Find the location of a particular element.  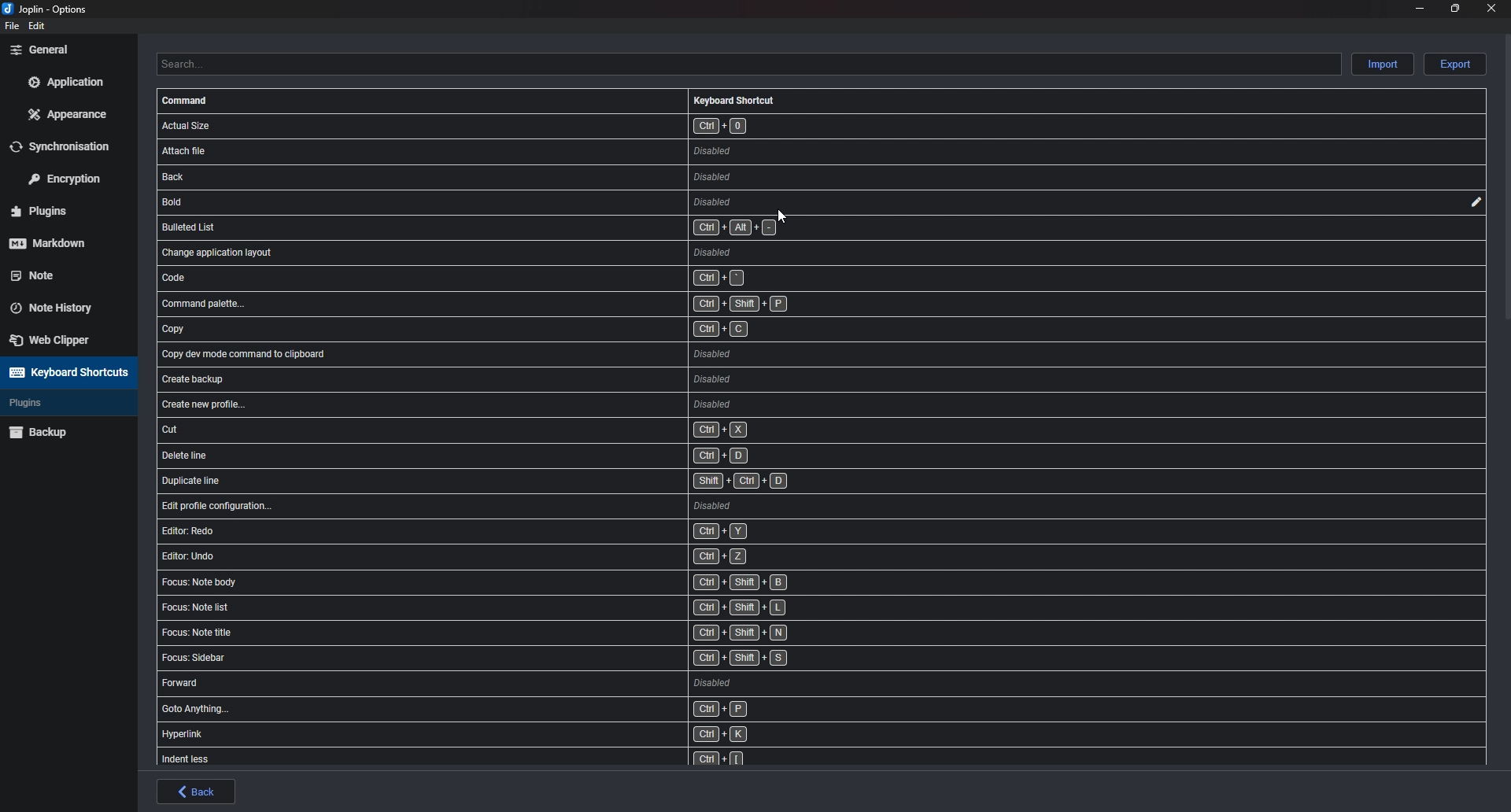

shortcut is located at coordinates (517, 609).